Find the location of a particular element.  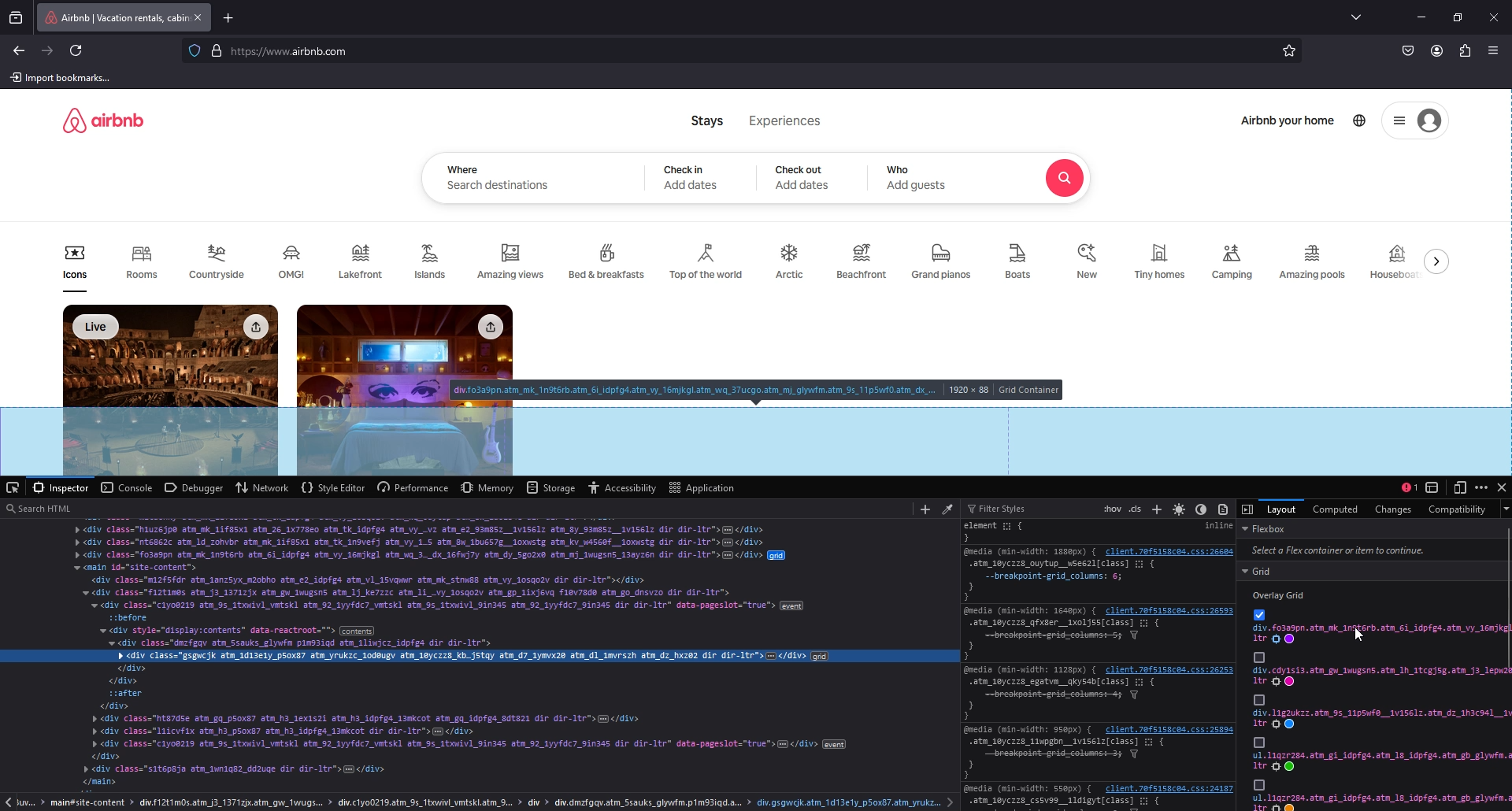

back is located at coordinates (20, 51).